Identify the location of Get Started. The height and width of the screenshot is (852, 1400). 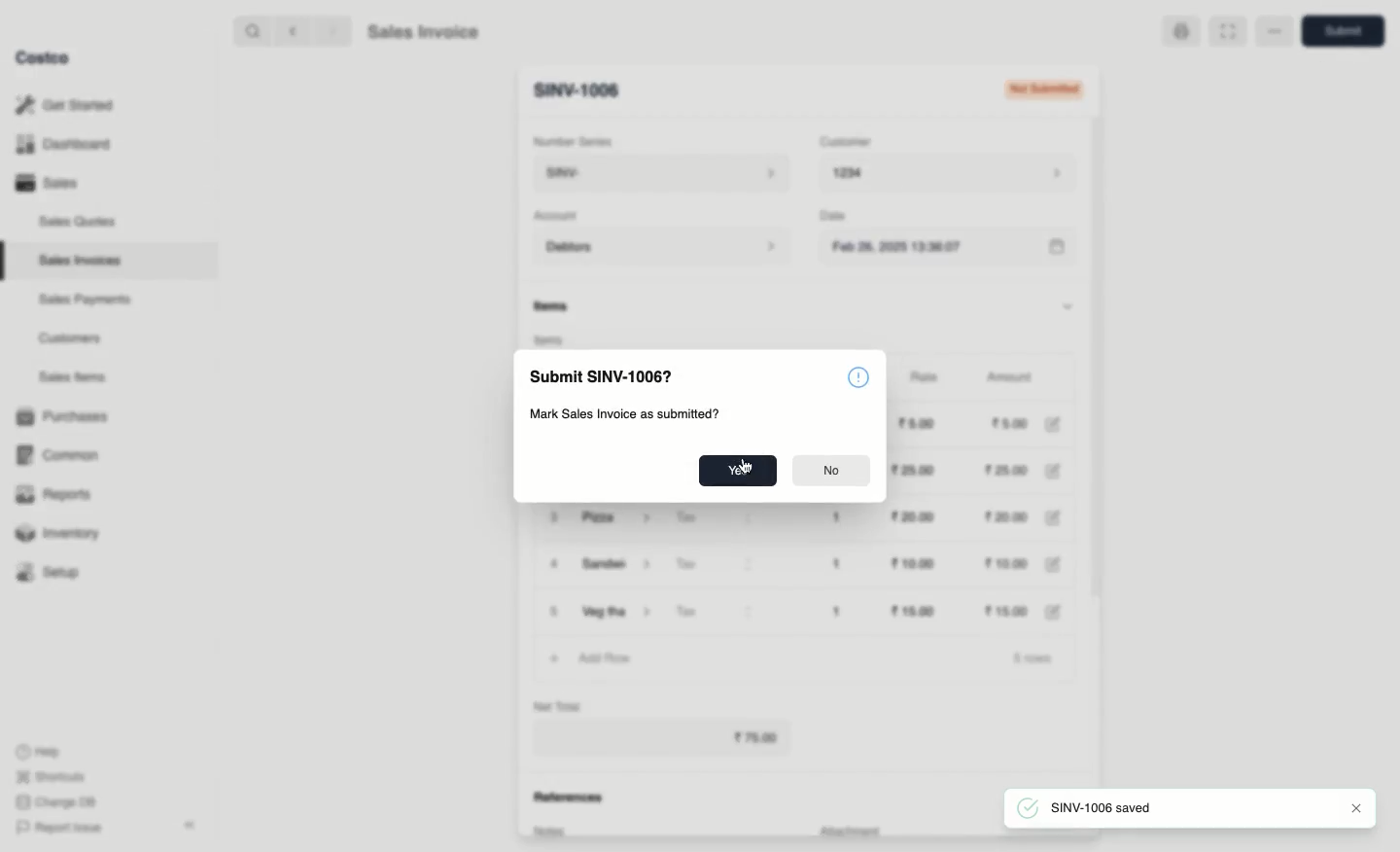
(64, 104).